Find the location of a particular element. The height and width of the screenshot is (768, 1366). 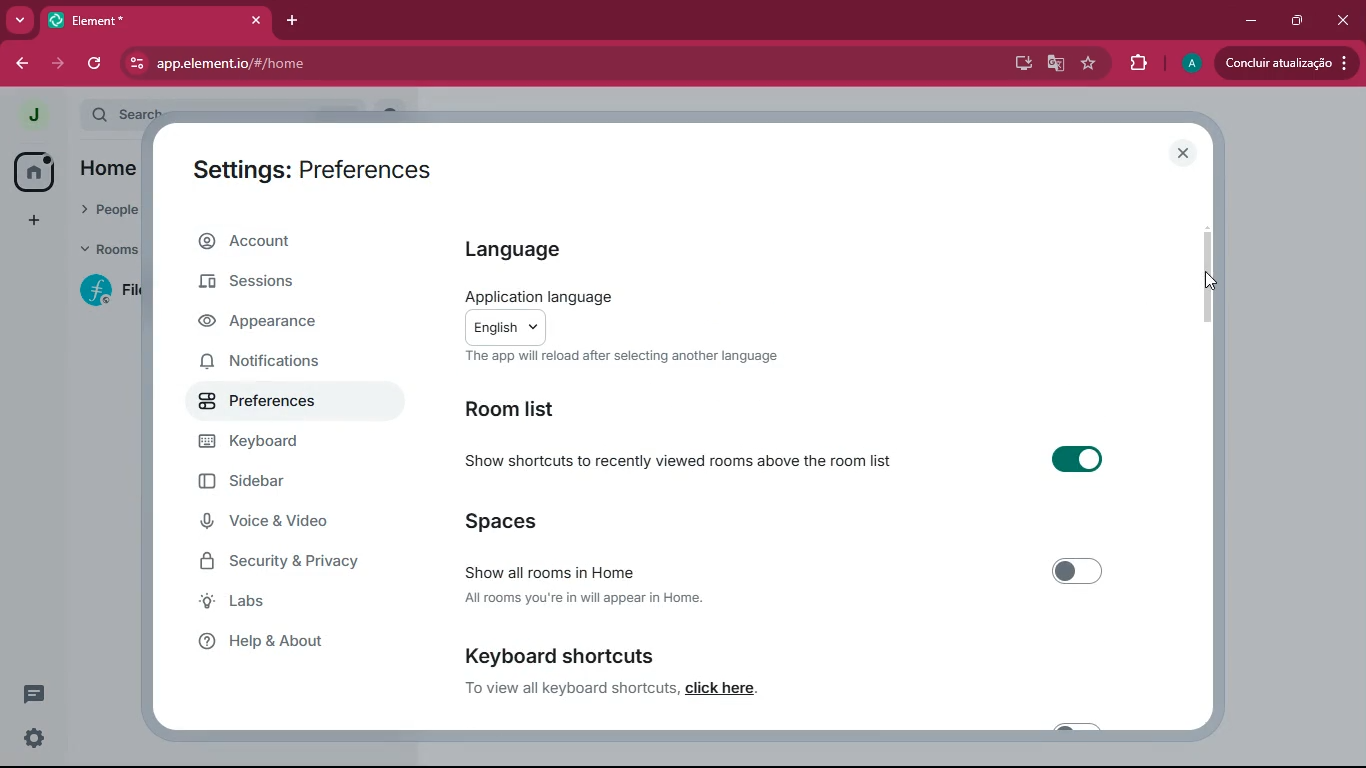

extensions is located at coordinates (1137, 63).